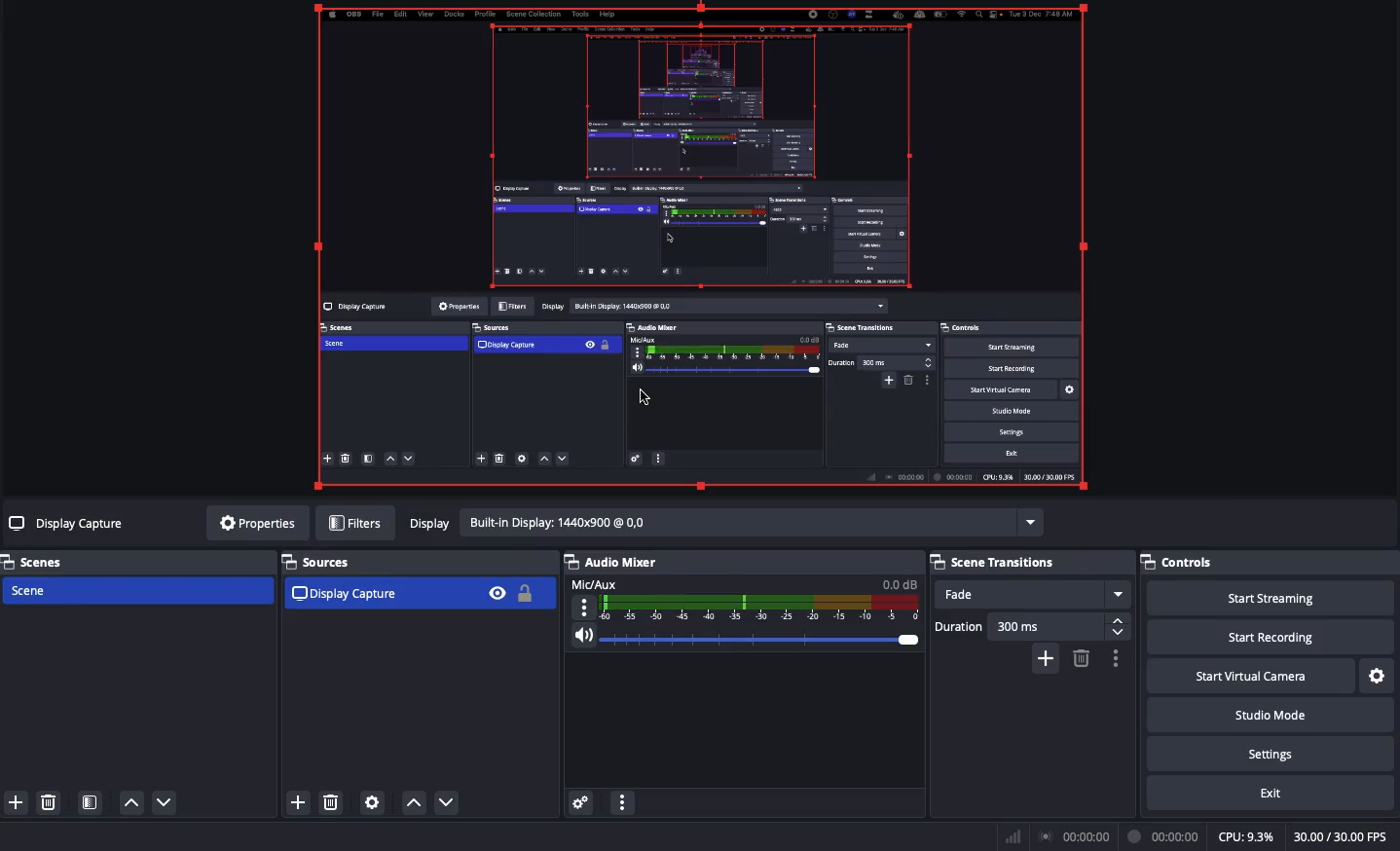 The width and height of the screenshot is (1400, 851). Describe the element at coordinates (708, 252) in the screenshot. I see `Reset transformation` at that location.